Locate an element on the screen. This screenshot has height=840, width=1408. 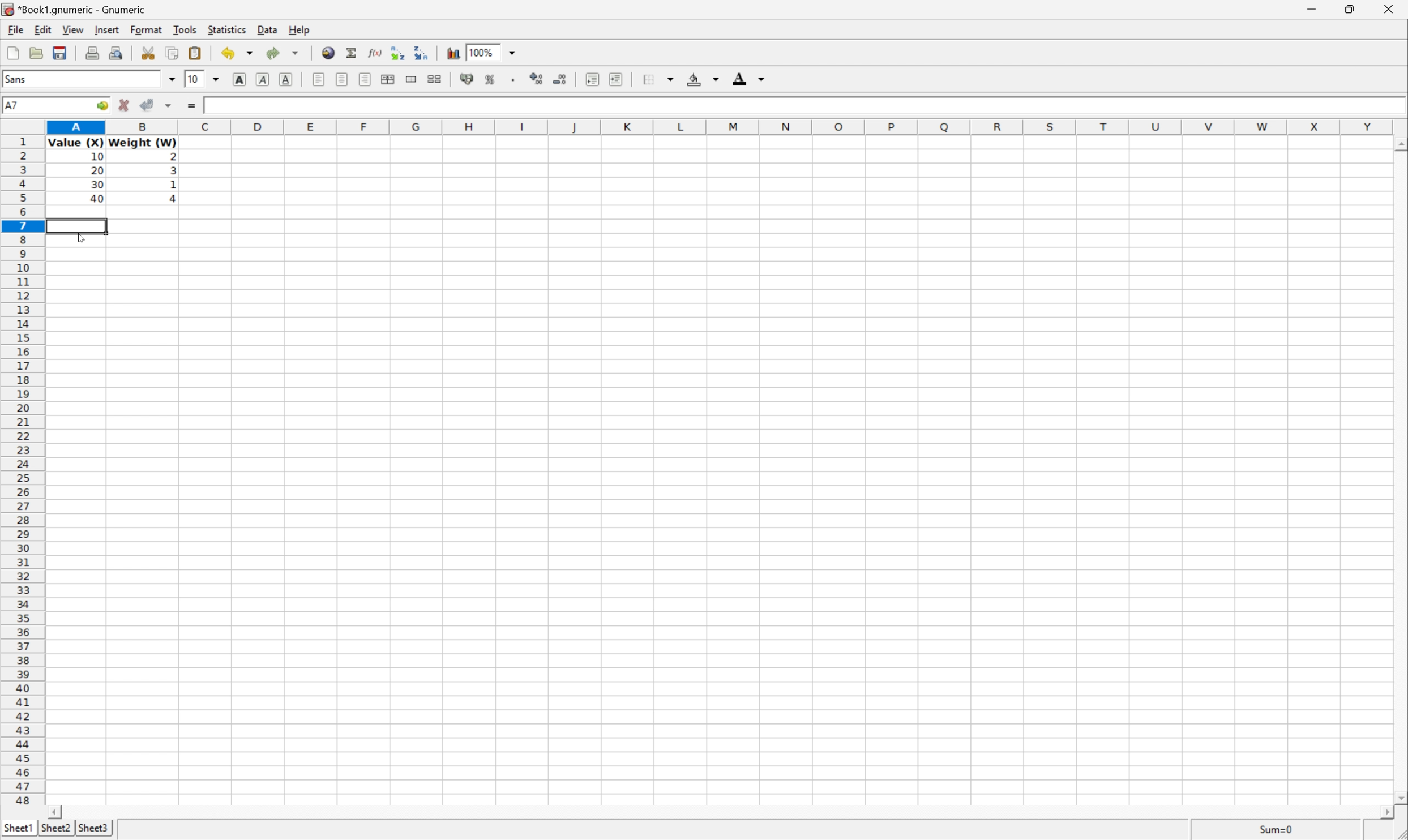
Go to is located at coordinates (102, 105).